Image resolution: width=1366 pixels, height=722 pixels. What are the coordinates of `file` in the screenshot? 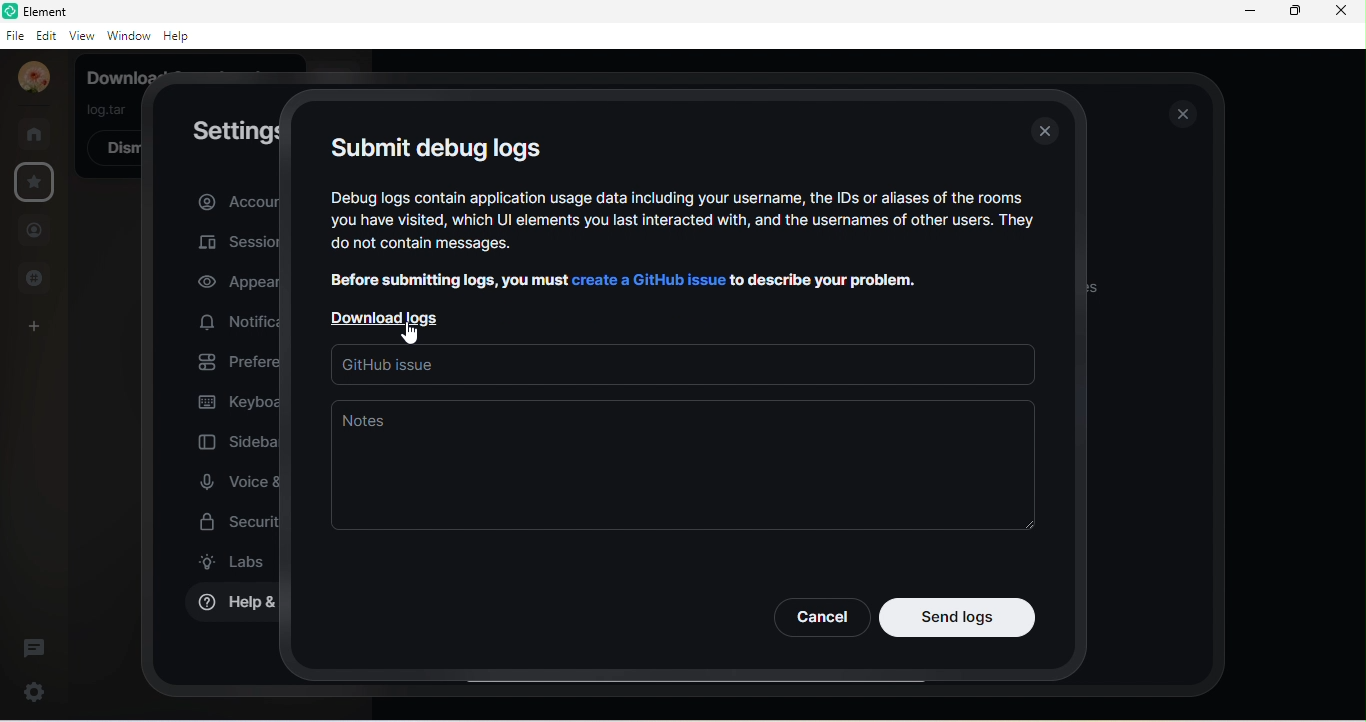 It's located at (15, 36).